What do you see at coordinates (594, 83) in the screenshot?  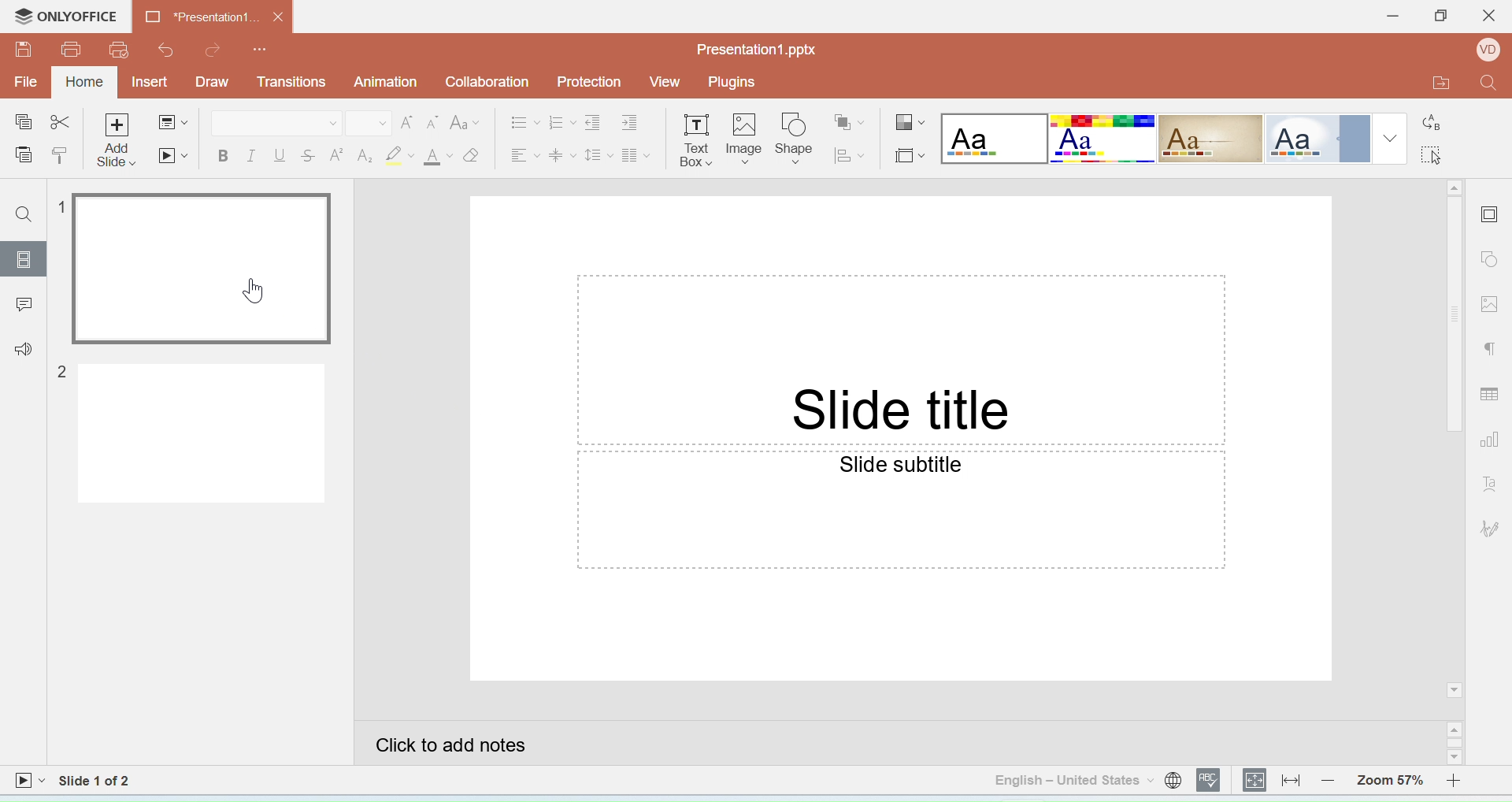 I see `Protection` at bounding box center [594, 83].